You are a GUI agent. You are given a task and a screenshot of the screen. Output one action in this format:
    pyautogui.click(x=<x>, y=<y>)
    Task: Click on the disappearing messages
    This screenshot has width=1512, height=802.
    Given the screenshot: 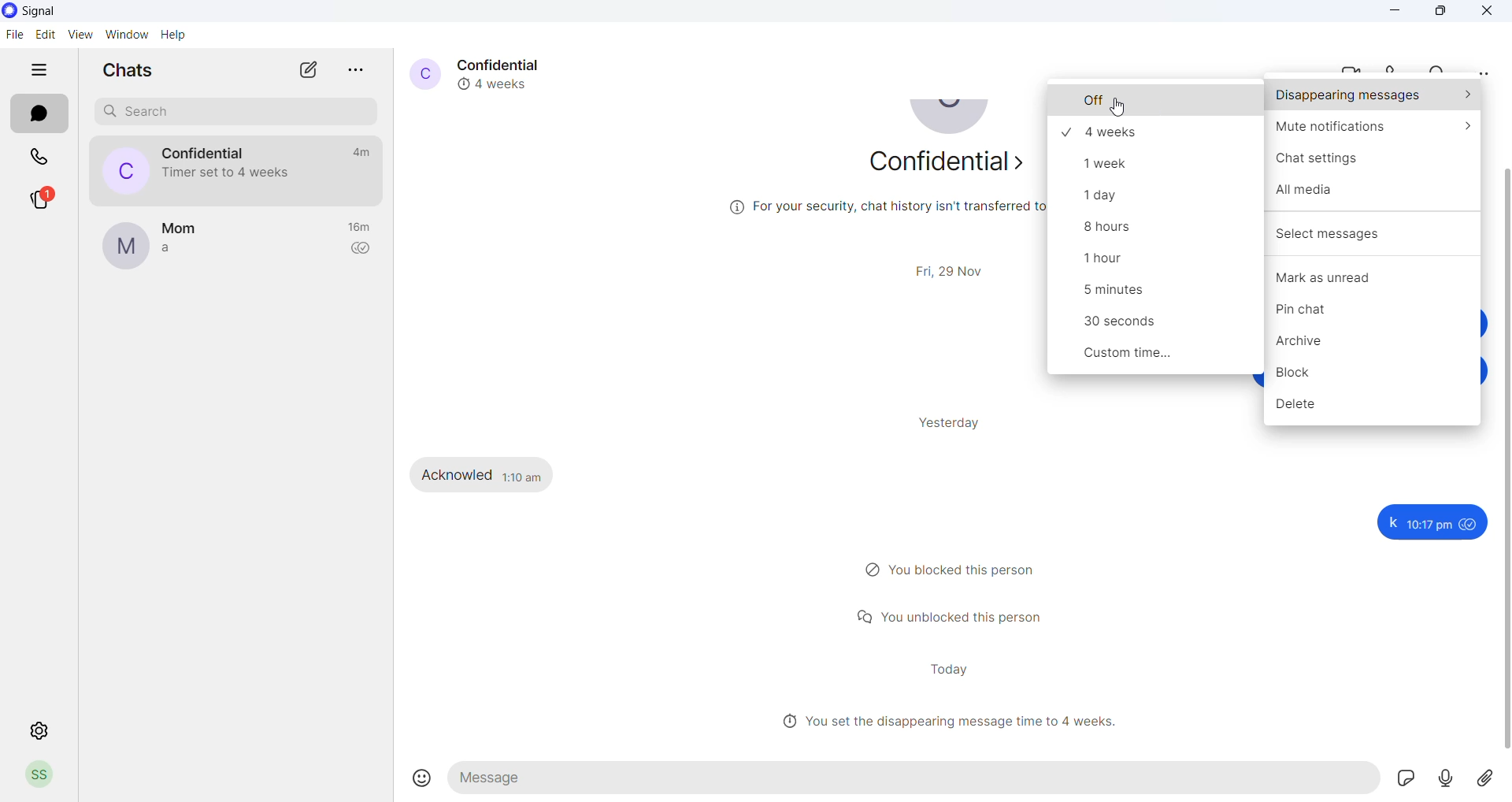 What is the action you would take?
    pyautogui.click(x=1373, y=97)
    